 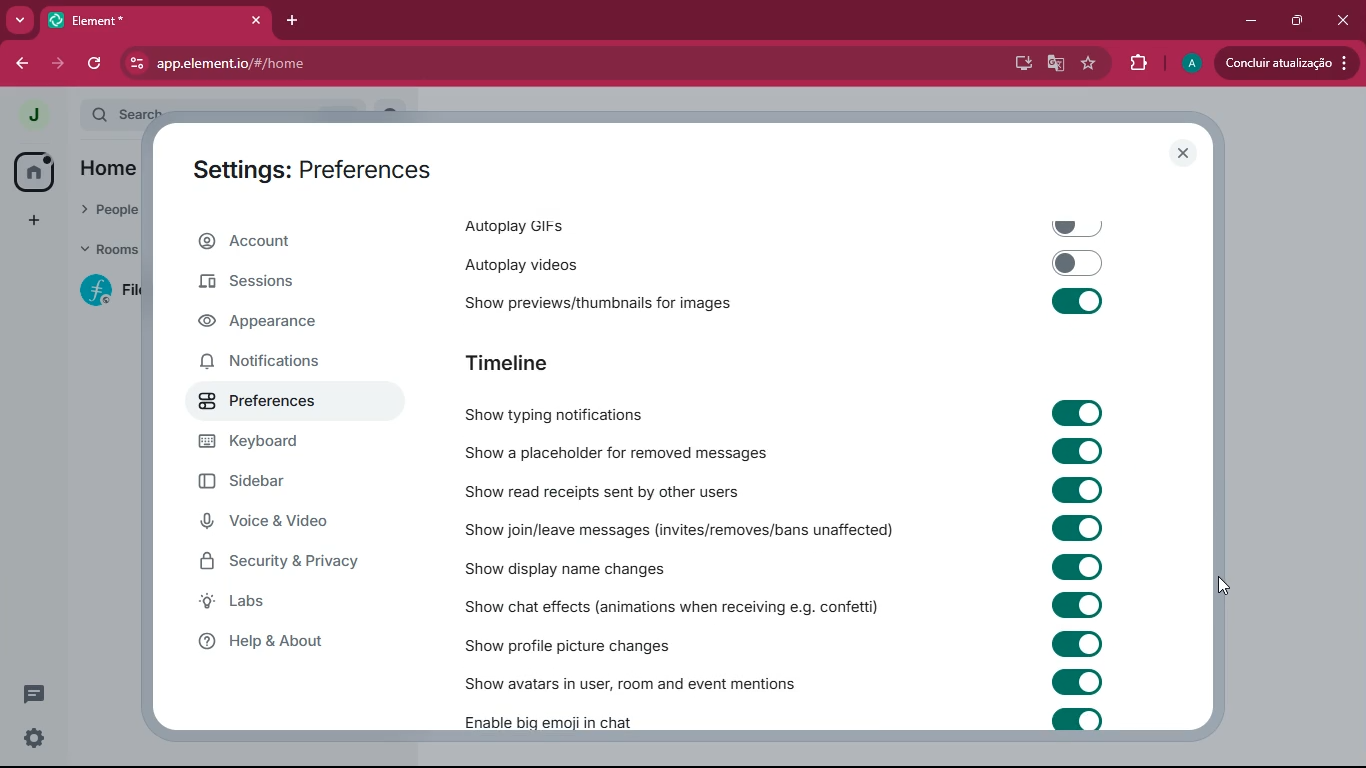 What do you see at coordinates (286, 523) in the screenshot?
I see `voice & video` at bounding box center [286, 523].